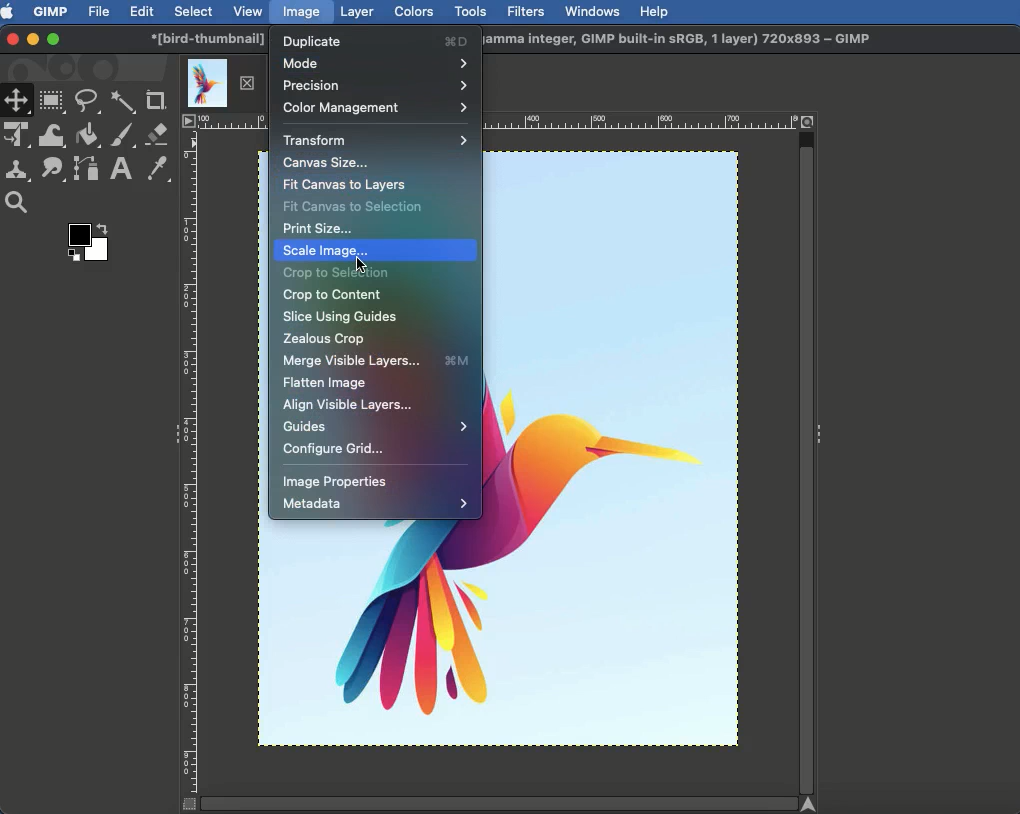  What do you see at coordinates (377, 140) in the screenshot?
I see `Transform` at bounding box center [377, 140].